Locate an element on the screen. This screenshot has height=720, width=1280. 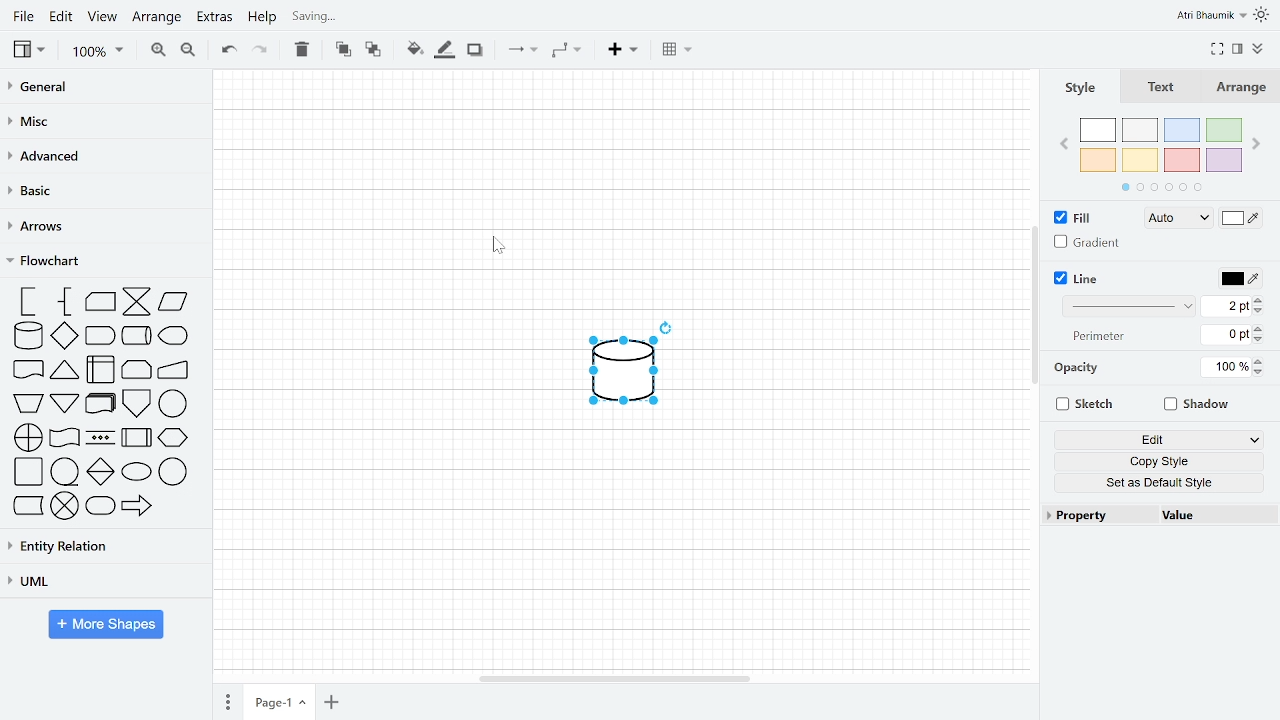
Decrease opacity is located at coordinates (1259, 372).